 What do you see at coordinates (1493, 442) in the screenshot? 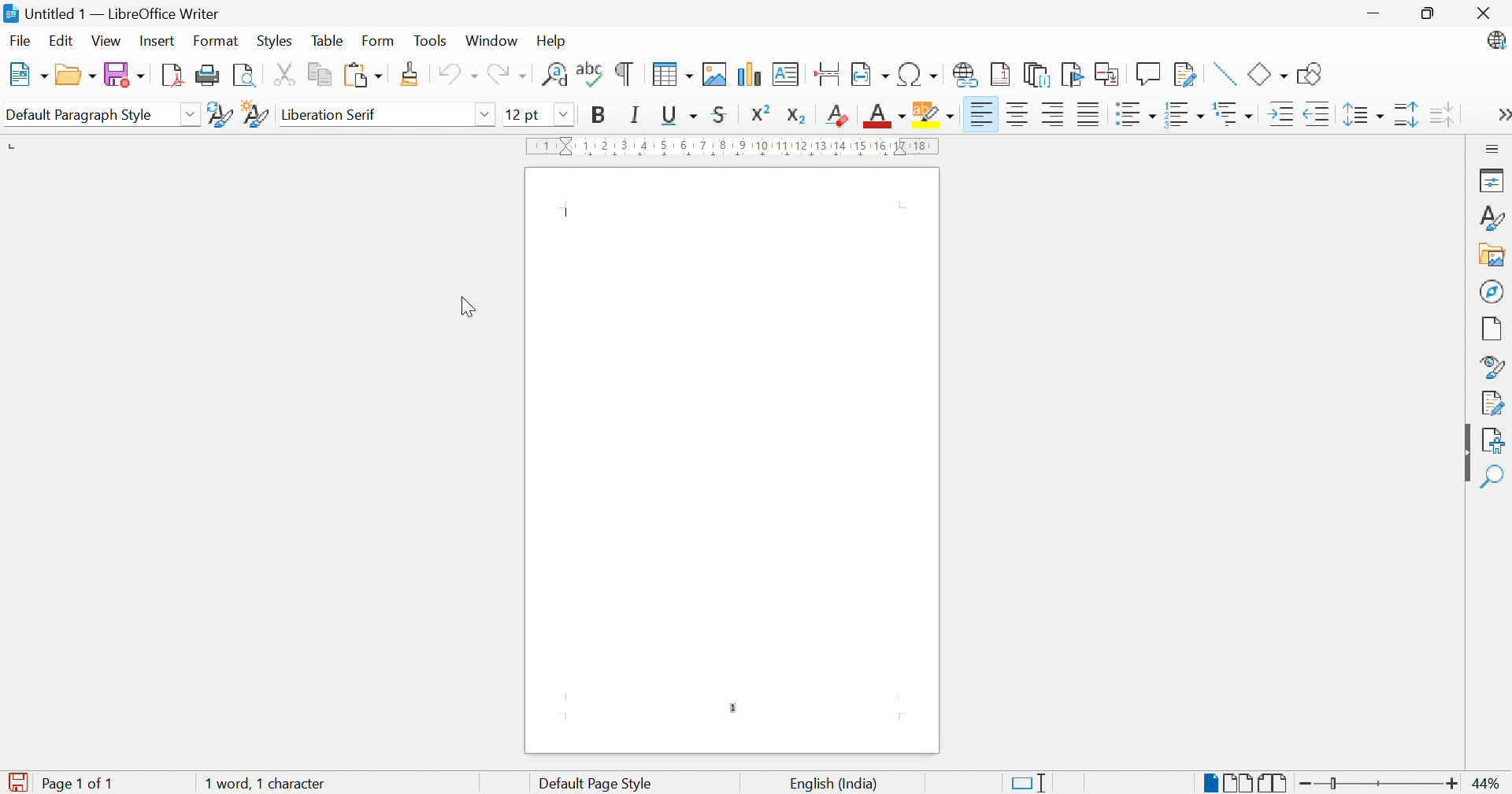
I see `Accessibility check` at bounding box center [1493, 442].